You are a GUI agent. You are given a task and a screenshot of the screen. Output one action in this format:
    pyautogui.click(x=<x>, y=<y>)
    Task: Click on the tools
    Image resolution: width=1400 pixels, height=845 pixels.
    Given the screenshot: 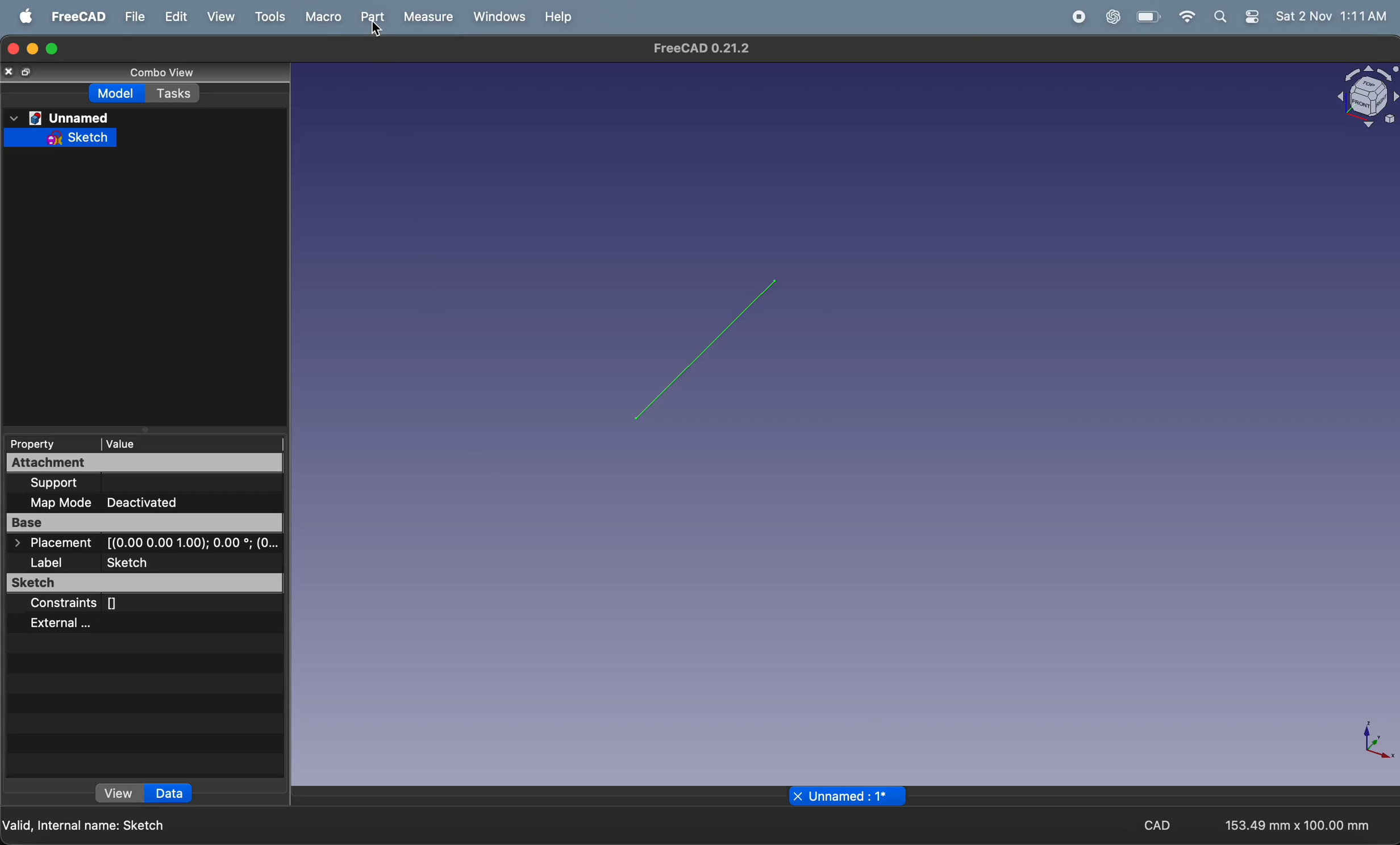 What is the action you would take?
    pyautogui.click(x=267, y=18)
    